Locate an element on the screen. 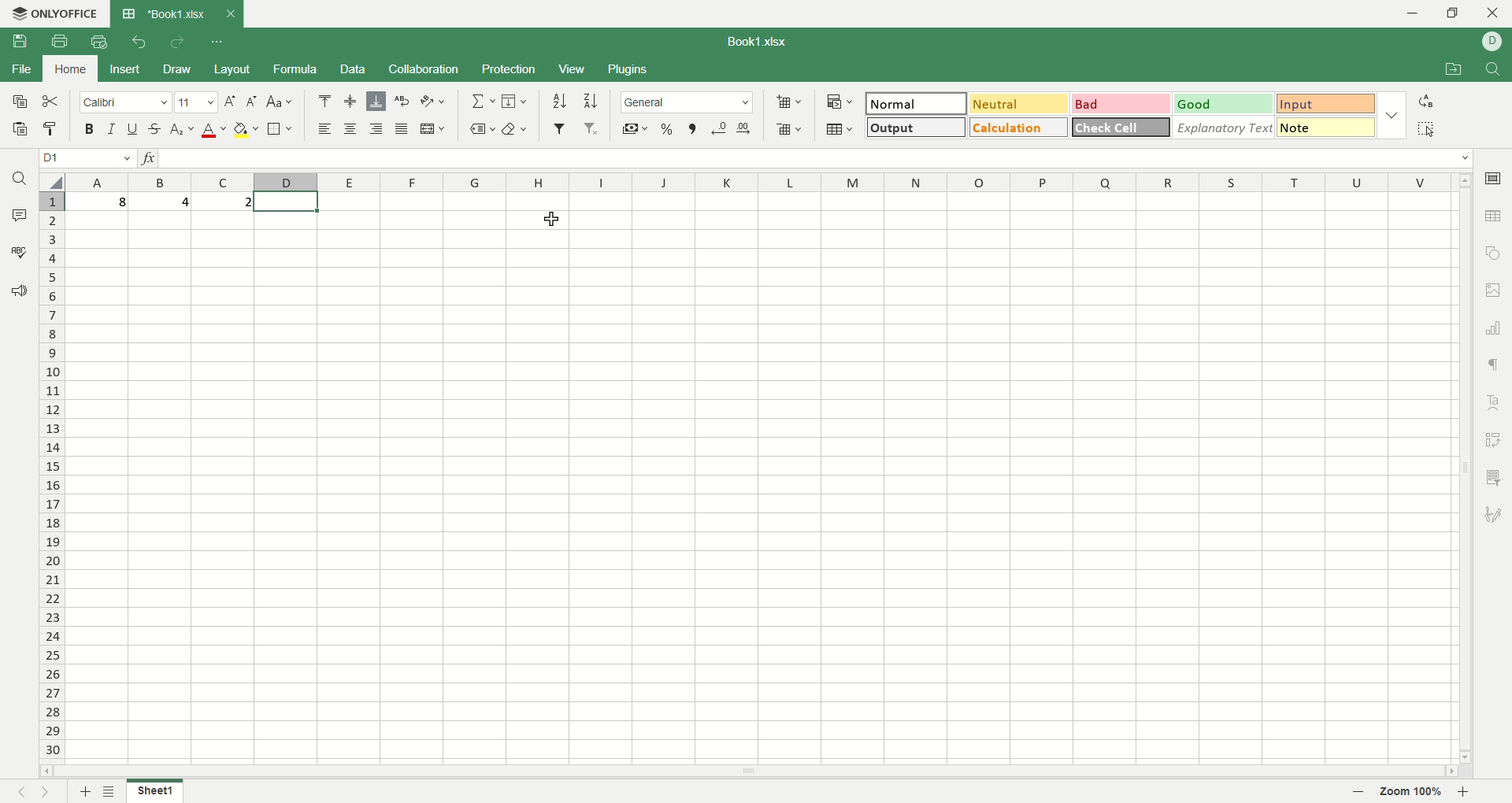  conditional formatting is located at coordinates (840, 103).